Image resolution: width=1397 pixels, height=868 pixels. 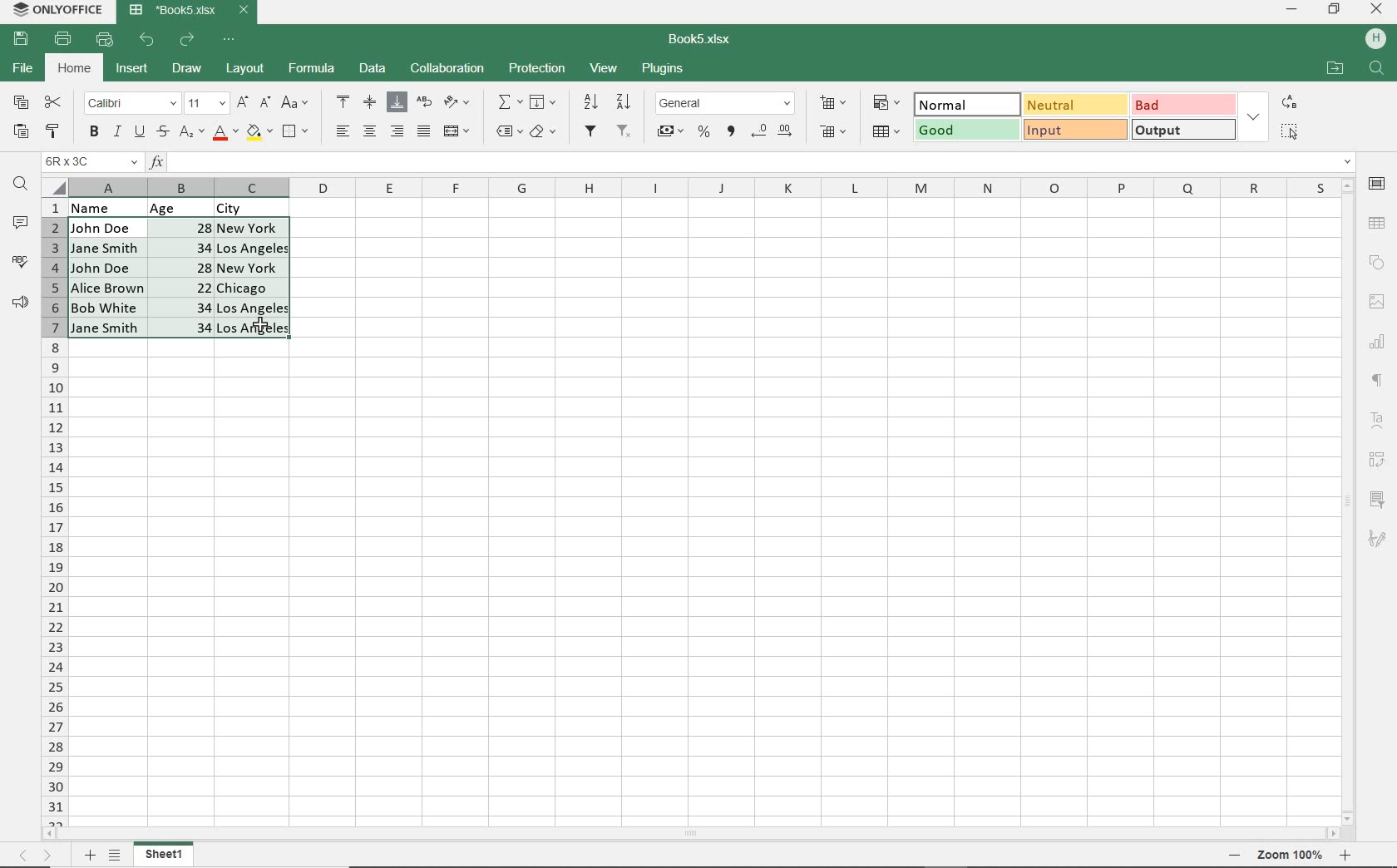 I want to click on INPUT, so click(x=1074, y=130).